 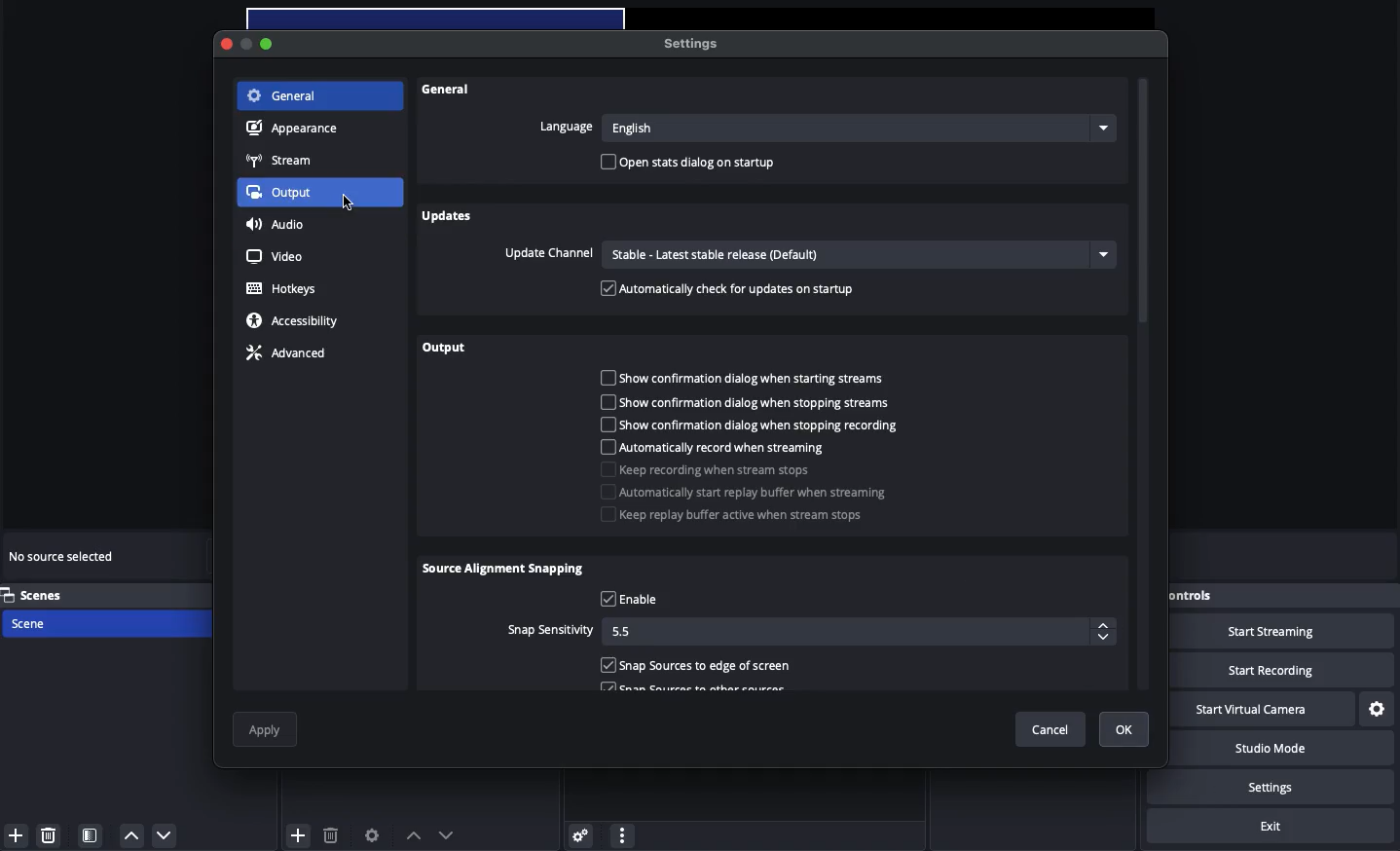 I want to click on Exit, so click(x=1271, y=827).